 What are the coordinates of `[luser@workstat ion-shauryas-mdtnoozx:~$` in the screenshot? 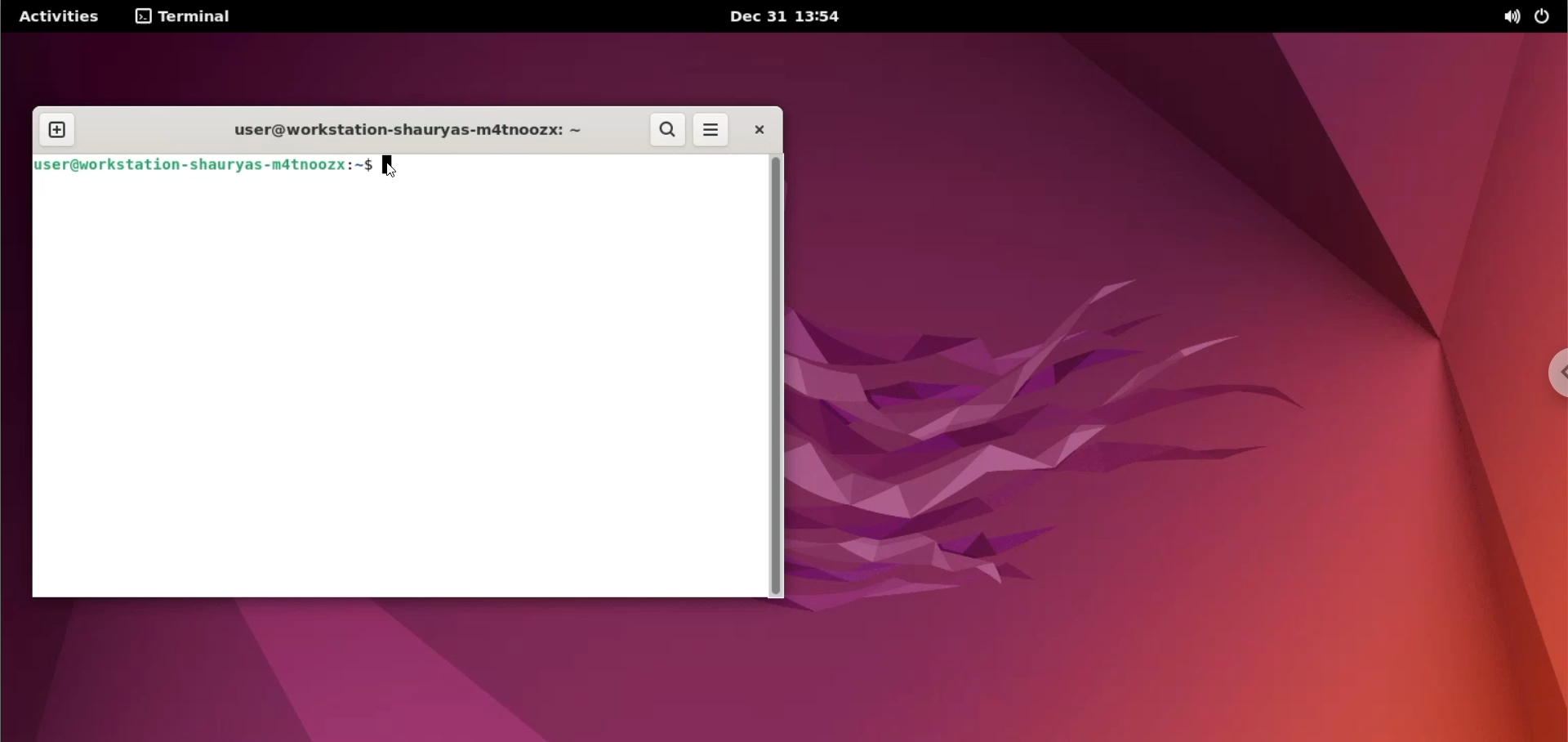 It's located at (203, 167).